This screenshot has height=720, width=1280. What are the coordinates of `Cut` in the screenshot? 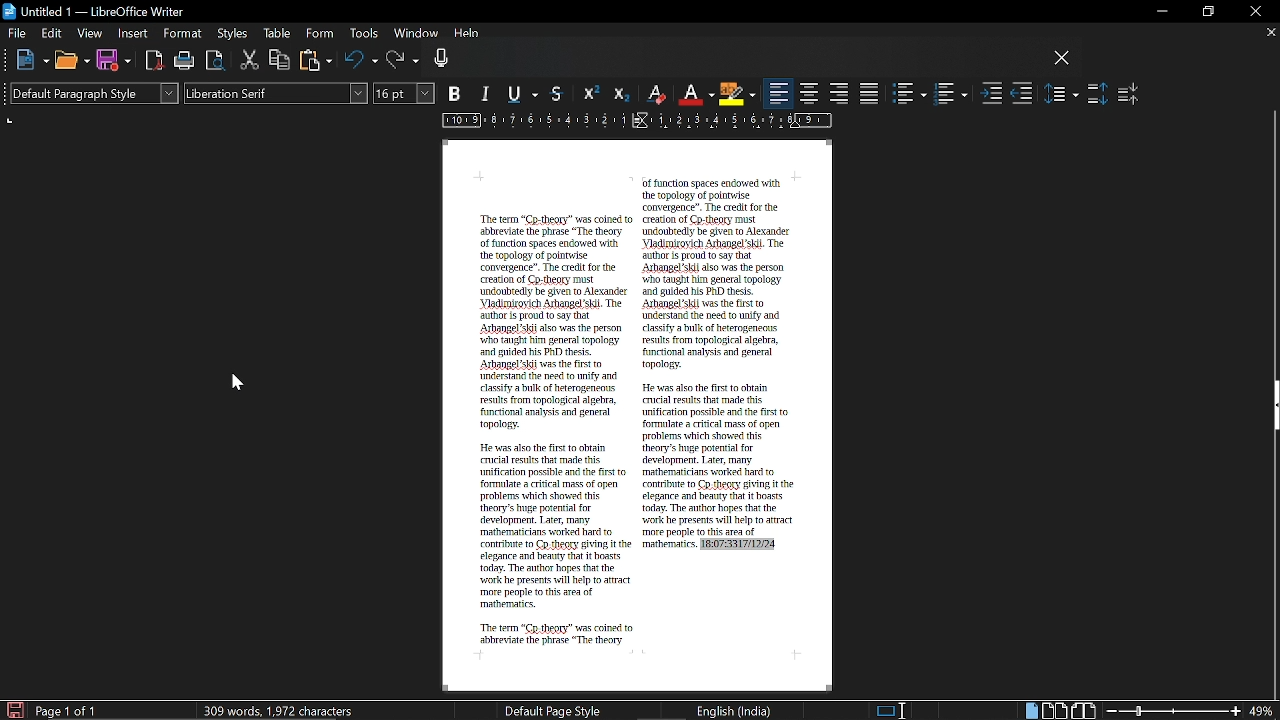 It's located at (250, 61).